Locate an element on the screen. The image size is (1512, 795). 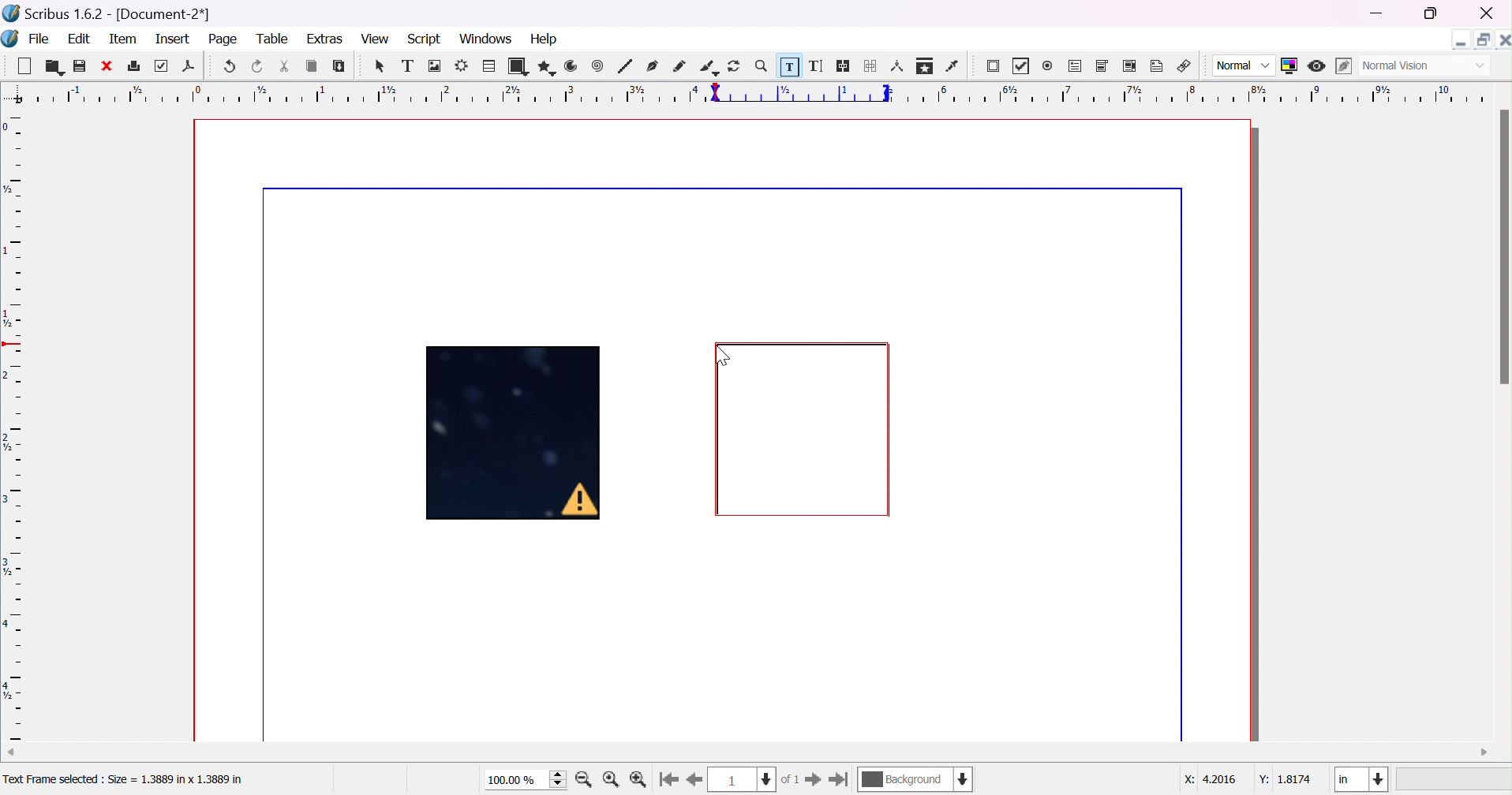
PDF text field is located at coordinates (1076, 66).